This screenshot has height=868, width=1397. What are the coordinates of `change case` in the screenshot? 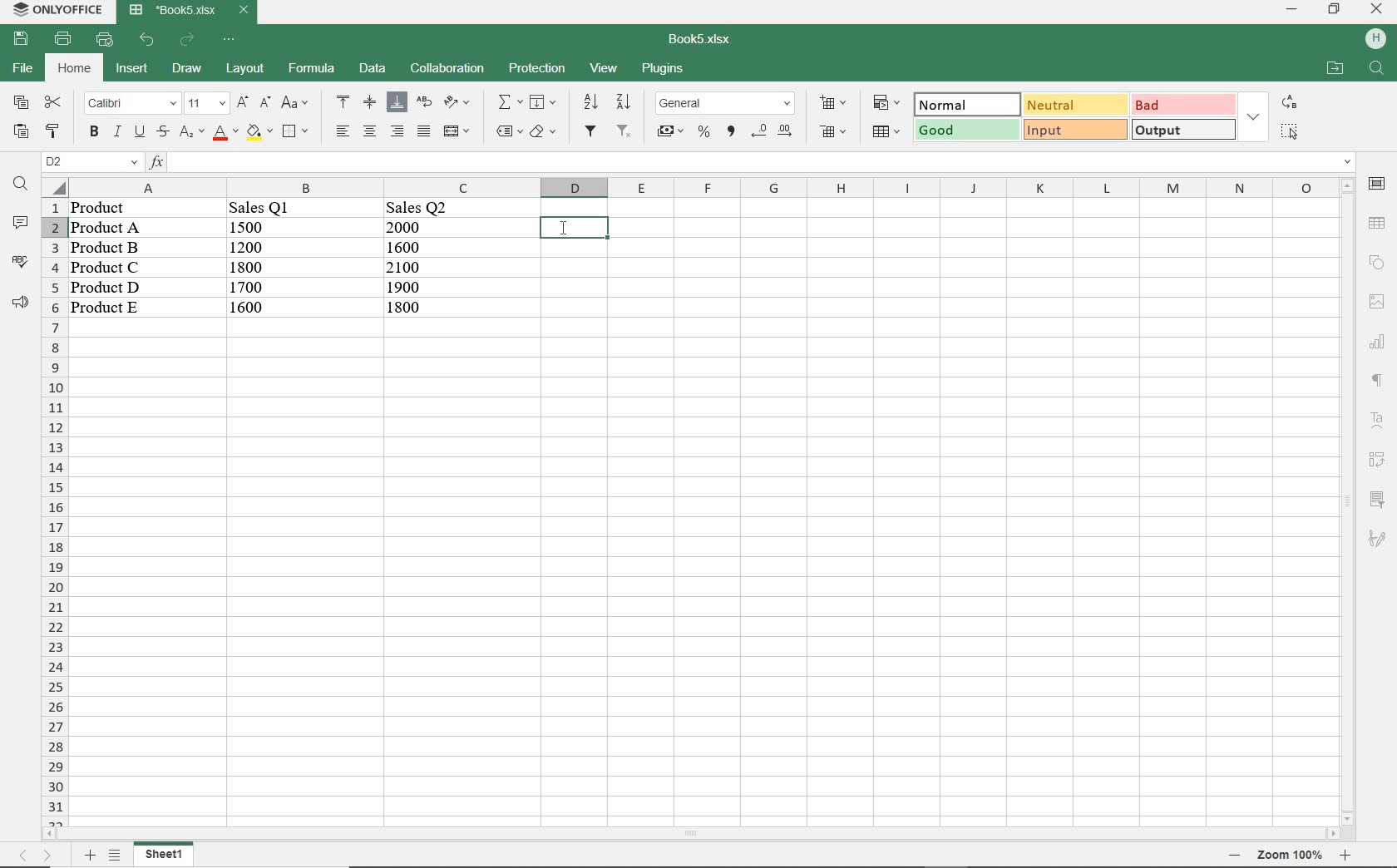 It's located at (297, 103).